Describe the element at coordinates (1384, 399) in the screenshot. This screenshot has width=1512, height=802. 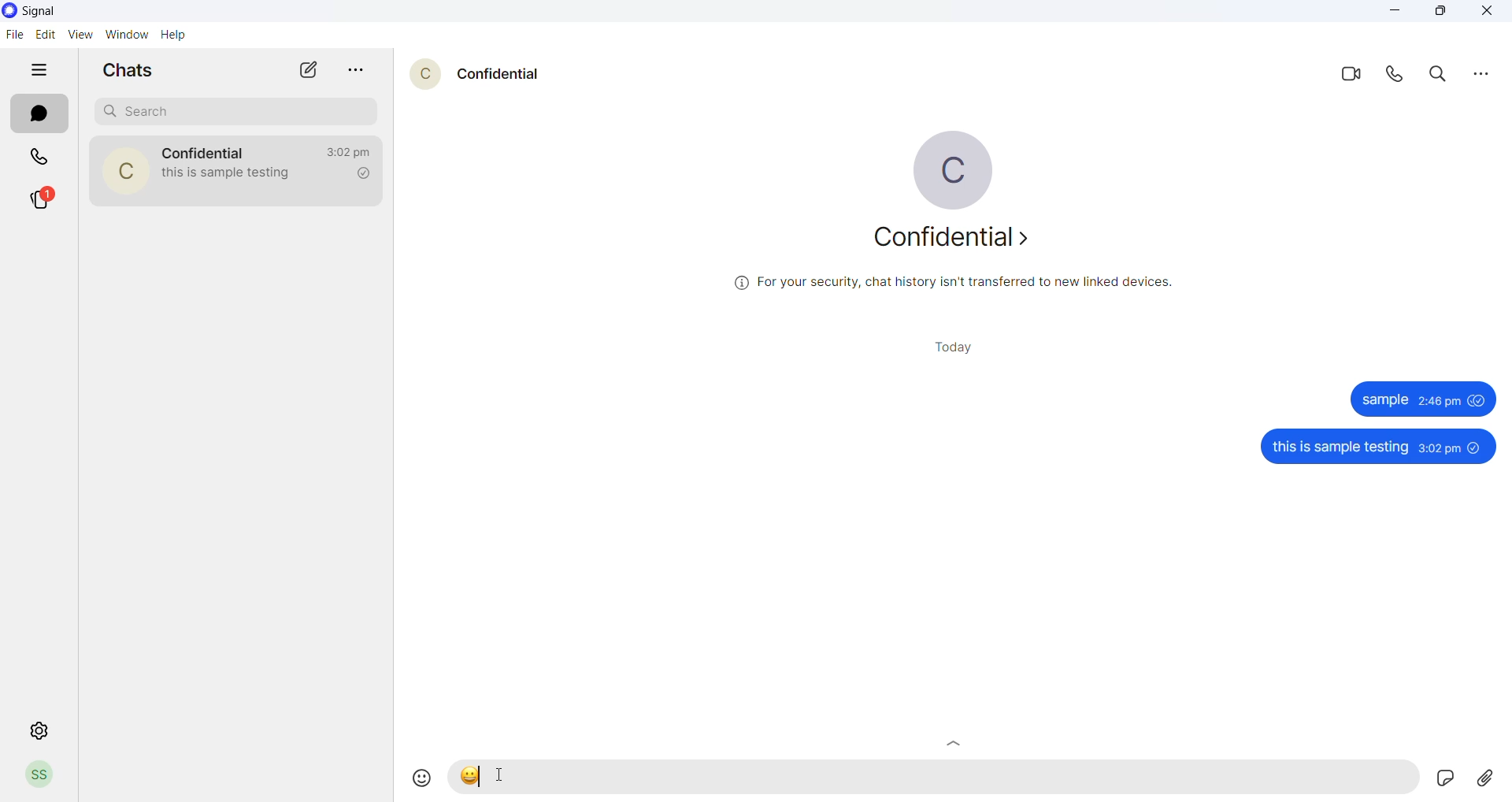
I see `sample` at that location.